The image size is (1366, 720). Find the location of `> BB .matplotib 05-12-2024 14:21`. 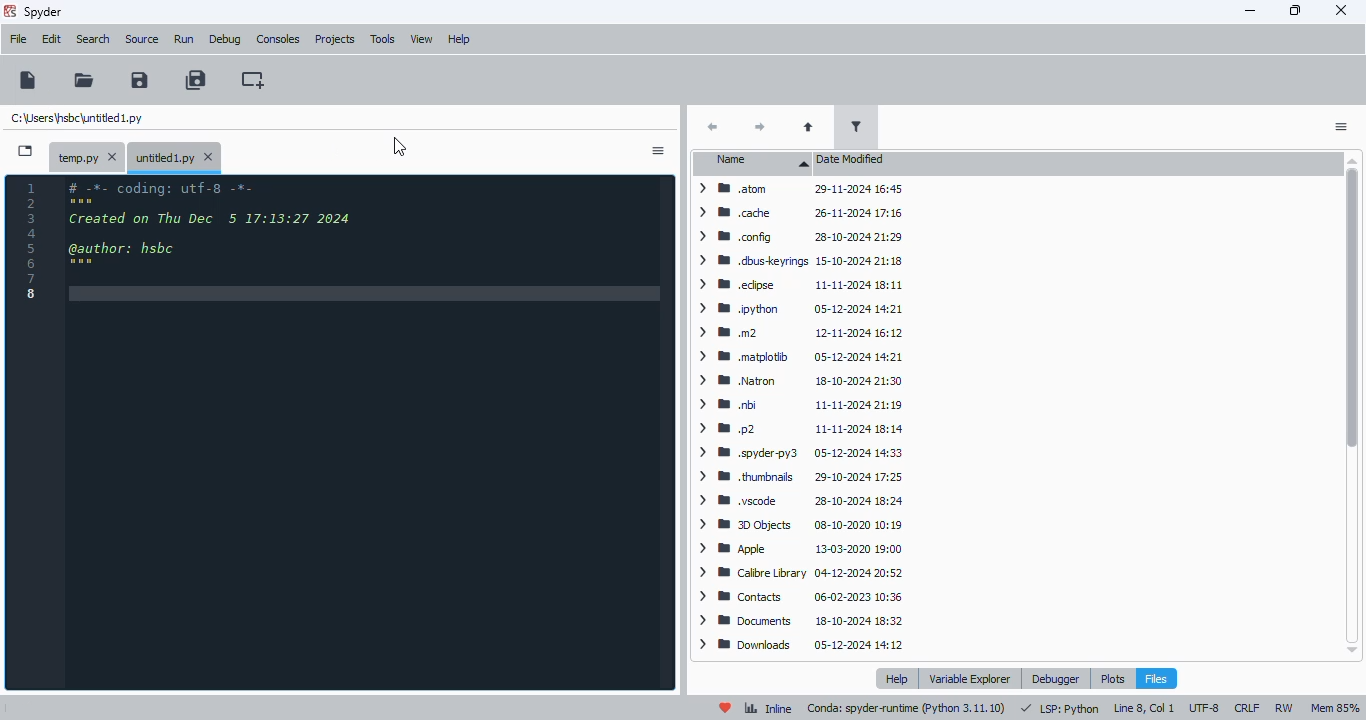

> BB .matplotib 05-12-2024 14:21 is located at coordinates (799, 355).